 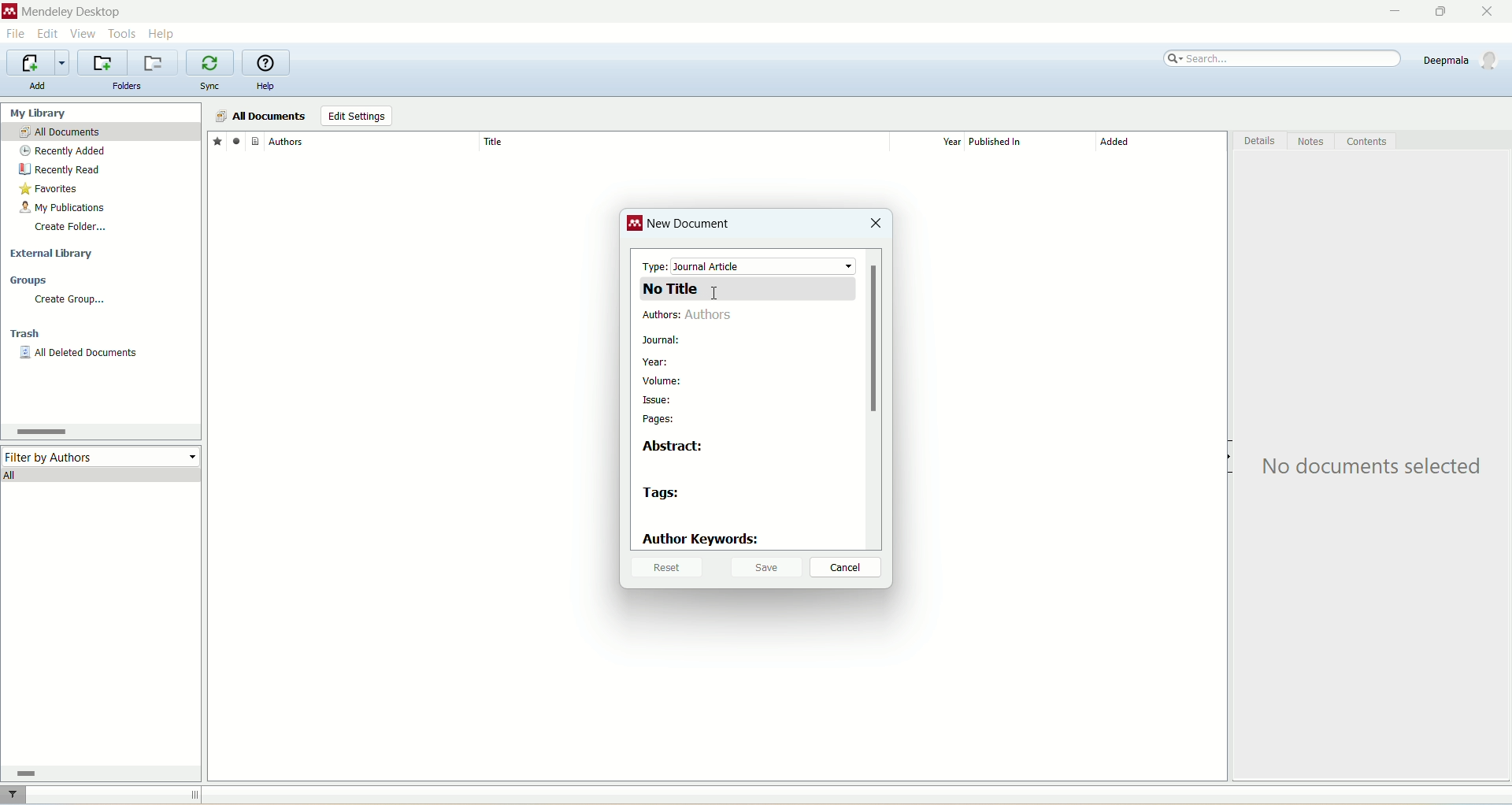 I want to click on authors, so click(x=693, y=317).